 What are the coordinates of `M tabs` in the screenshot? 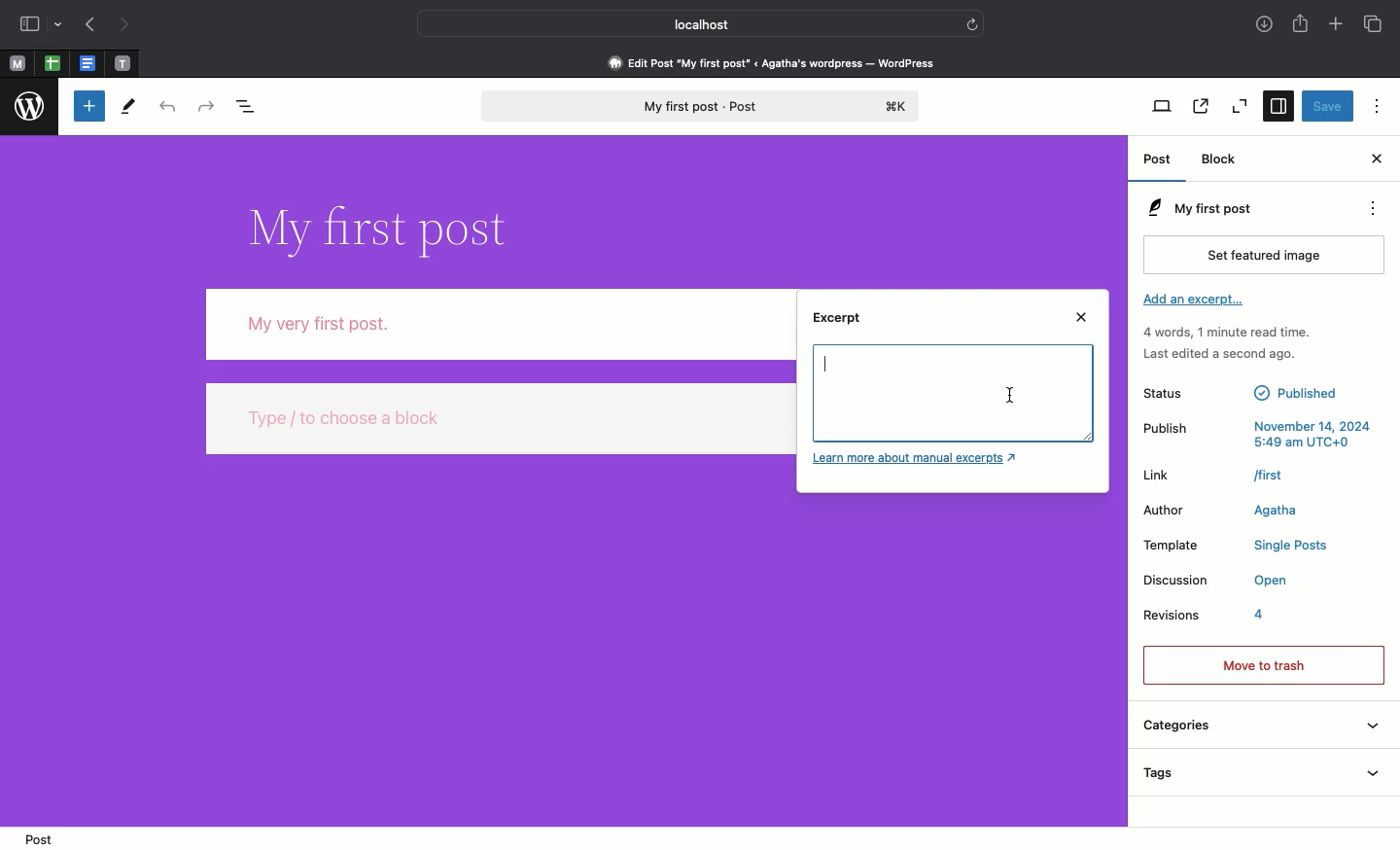 It's located at (15, 62).